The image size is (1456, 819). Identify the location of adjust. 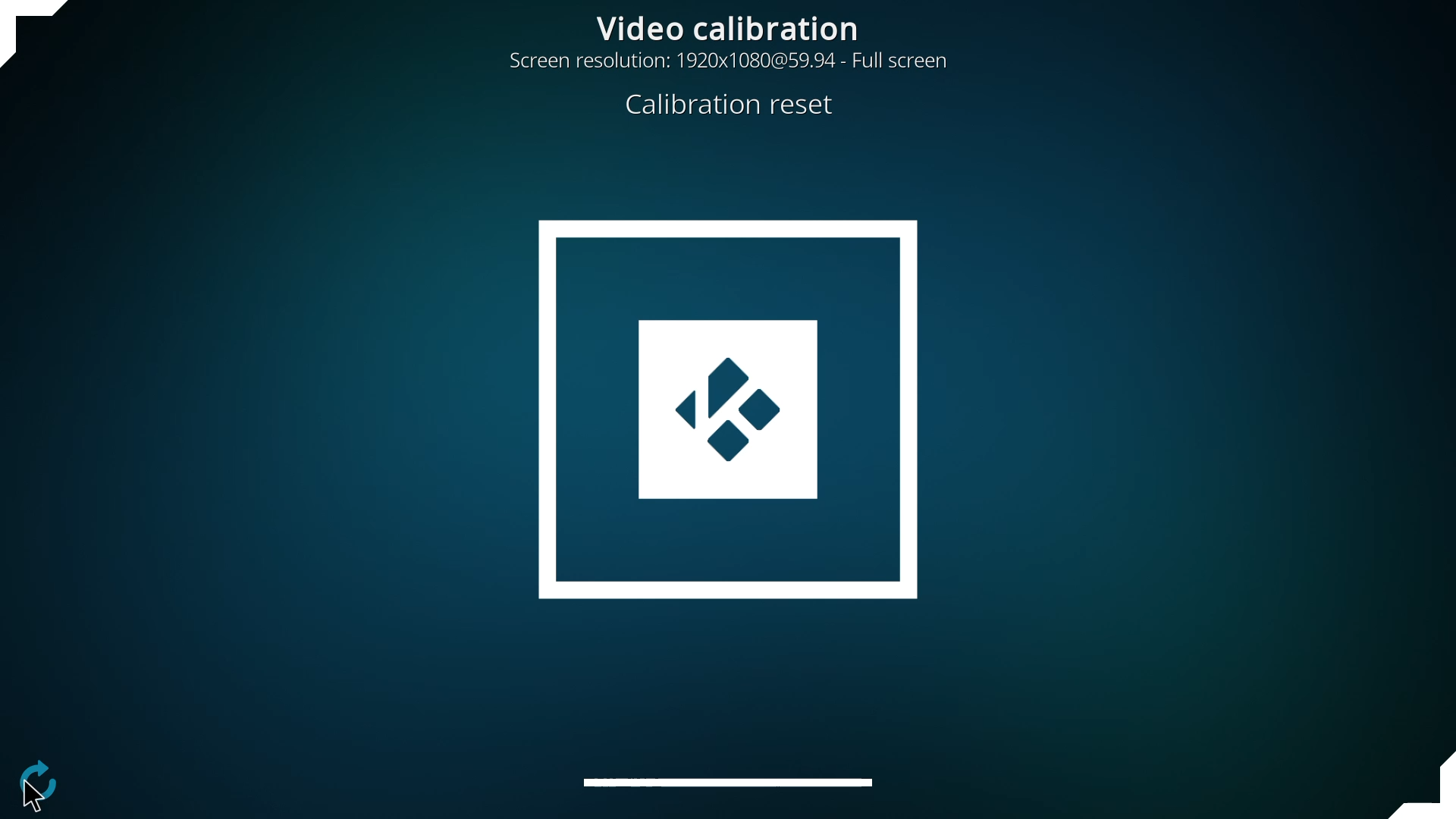
(51, 34).